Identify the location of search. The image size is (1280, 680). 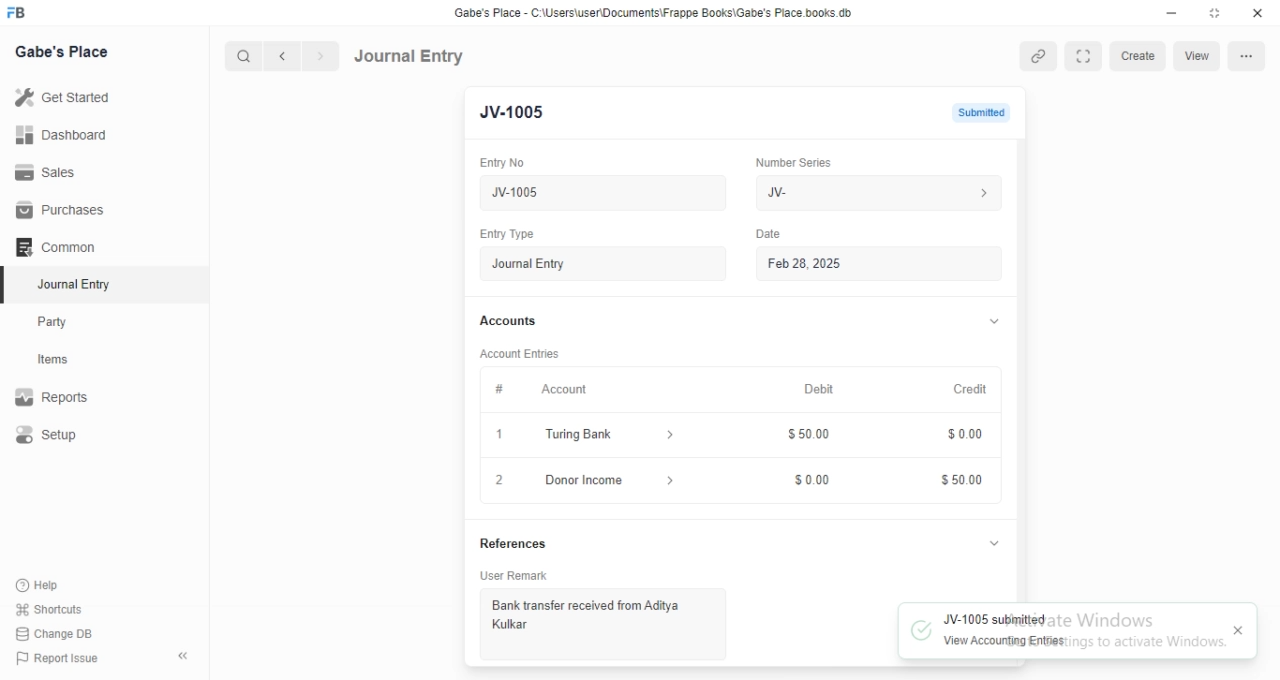
(245, 56).